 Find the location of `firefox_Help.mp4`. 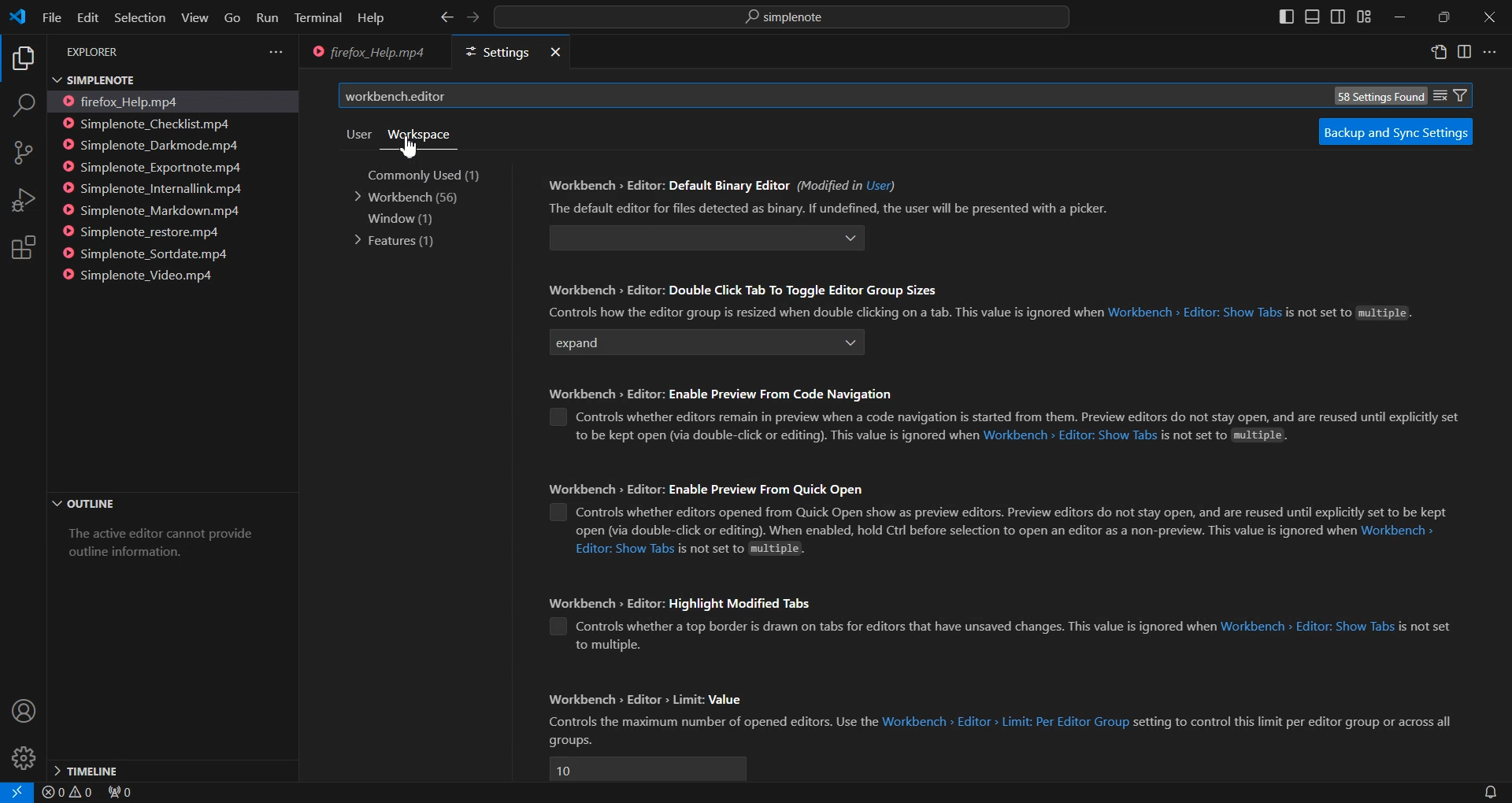

firefox_Help.mp4 is located at coordinates (131, 101).